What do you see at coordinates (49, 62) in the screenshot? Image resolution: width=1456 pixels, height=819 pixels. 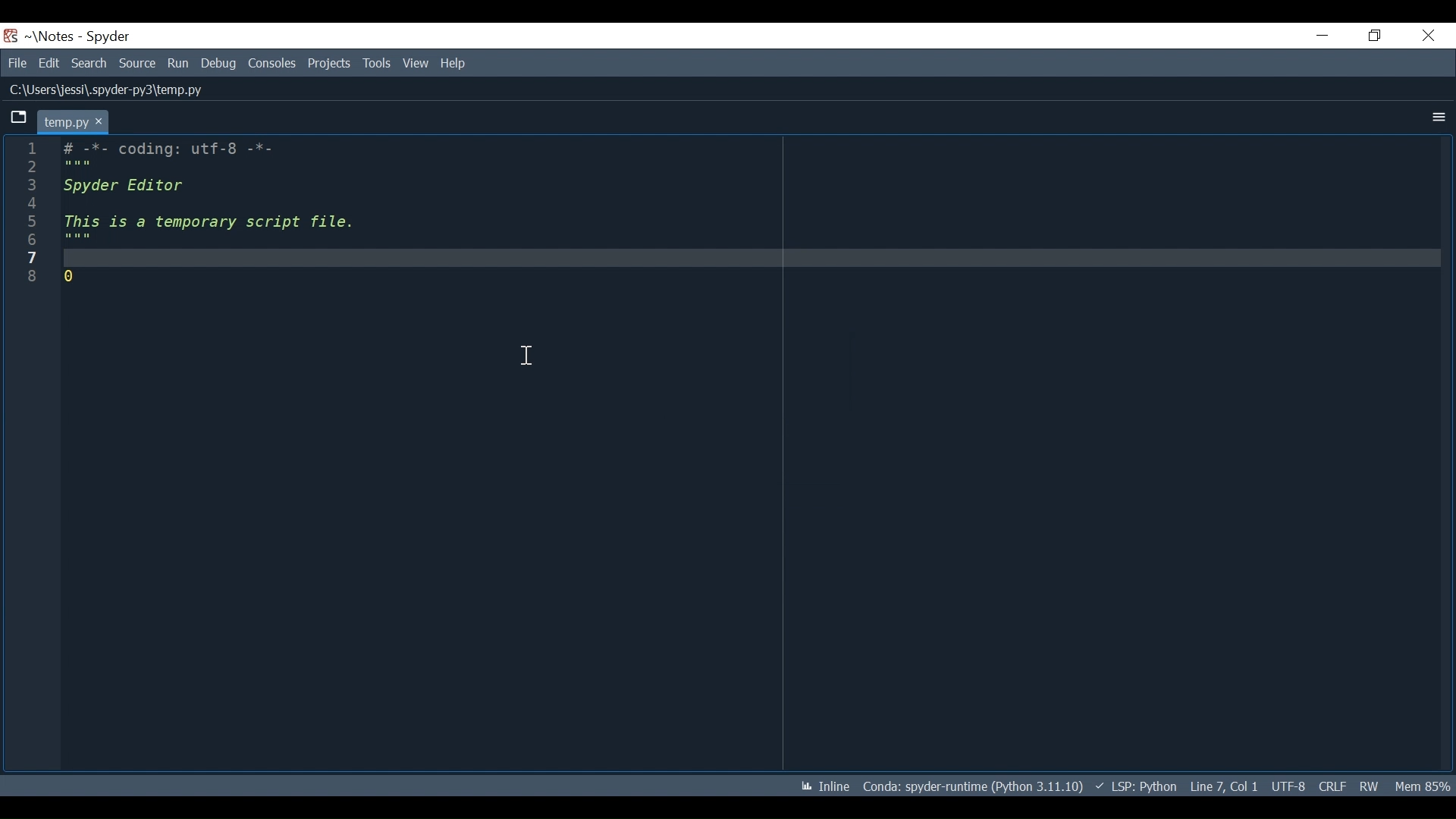 I see `Edit` at bounding box center [49, 62].